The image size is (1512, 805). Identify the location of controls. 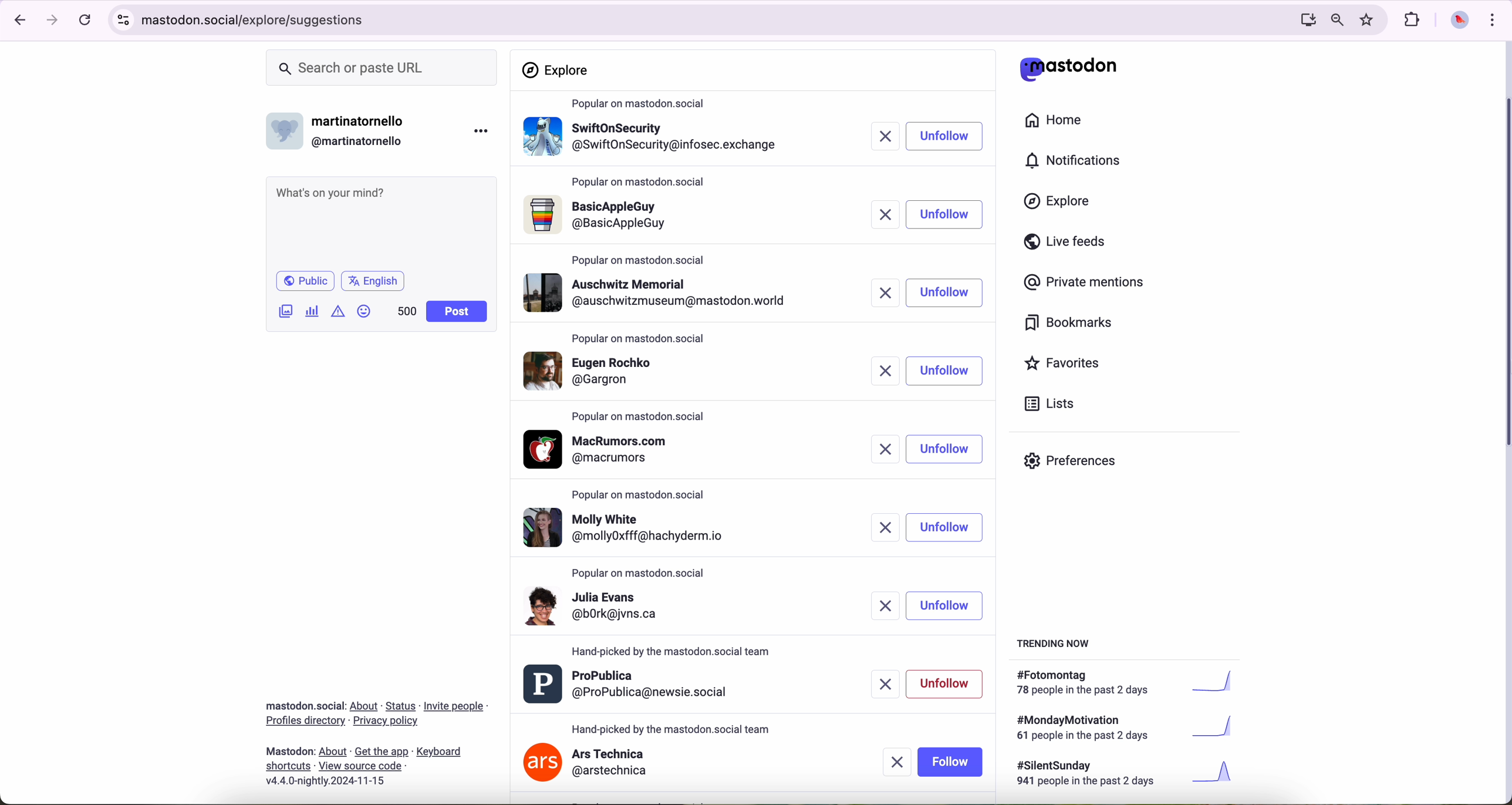
(124, 20).